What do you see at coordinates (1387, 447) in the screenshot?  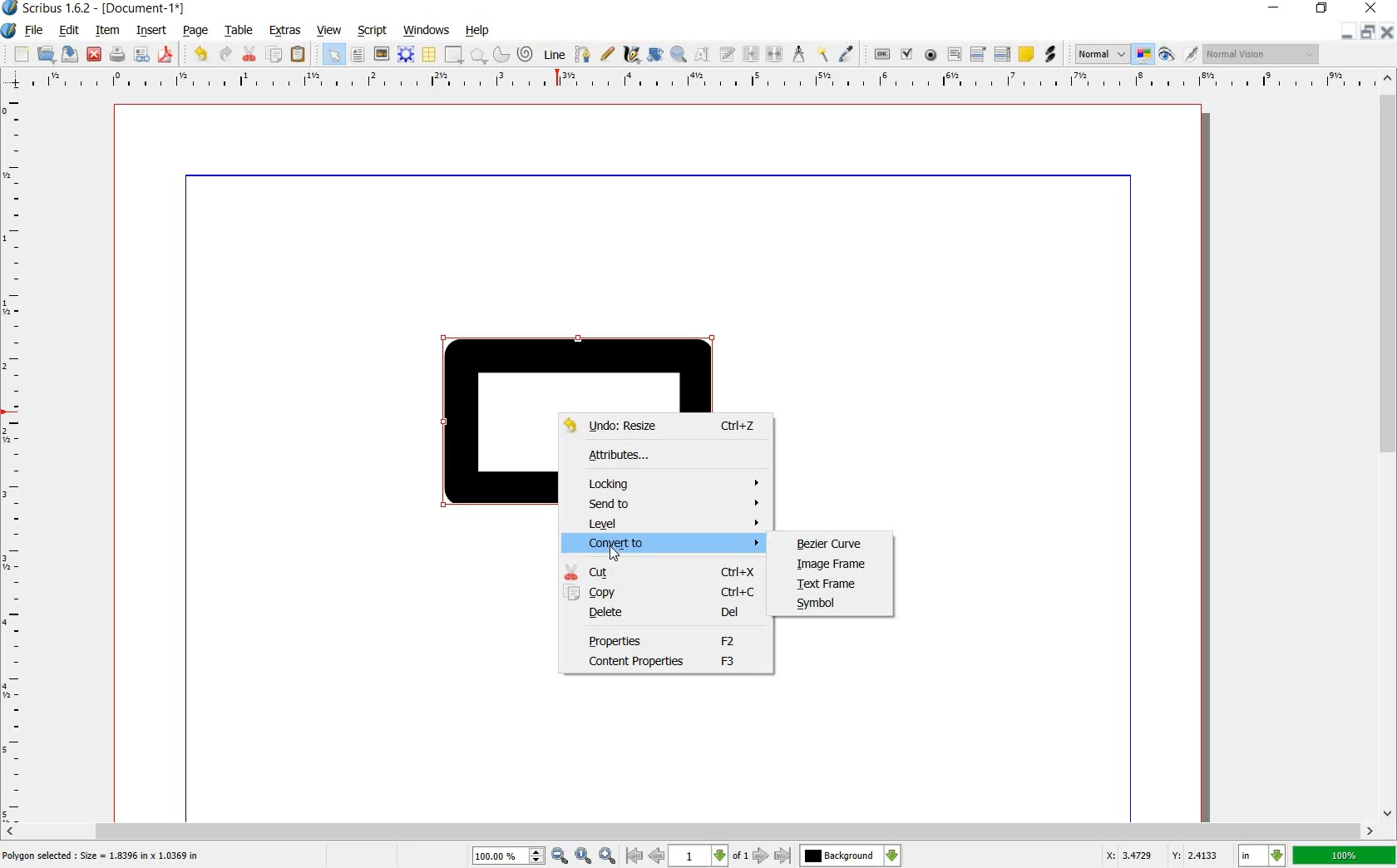 I see `scrollbar` at bounding box center [1387, 447].